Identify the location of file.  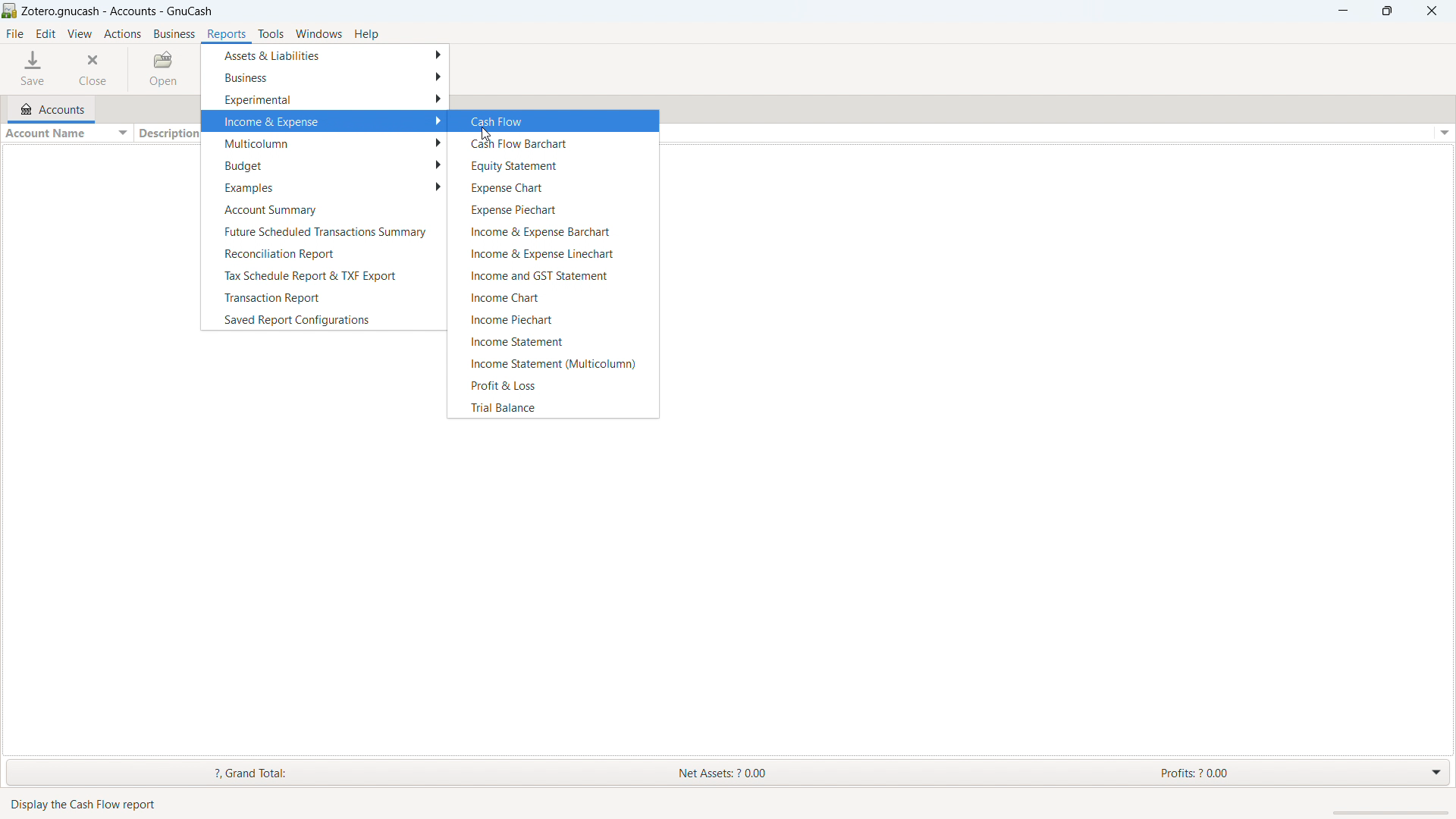
(15, 33).